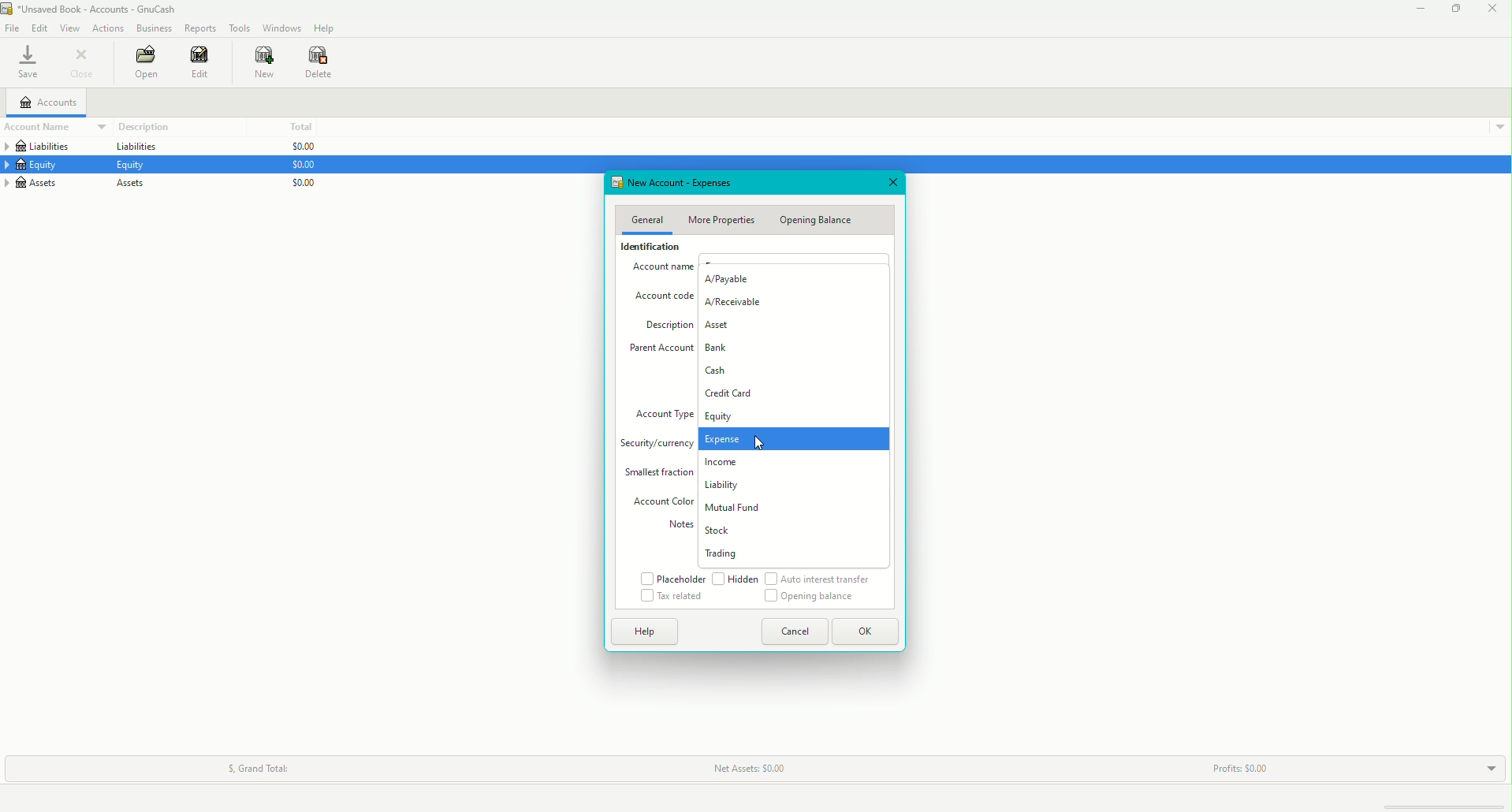  What do you see at coordinates (650, 633) in the screenshot?
I see `Help` at bounding box center [650, 633].